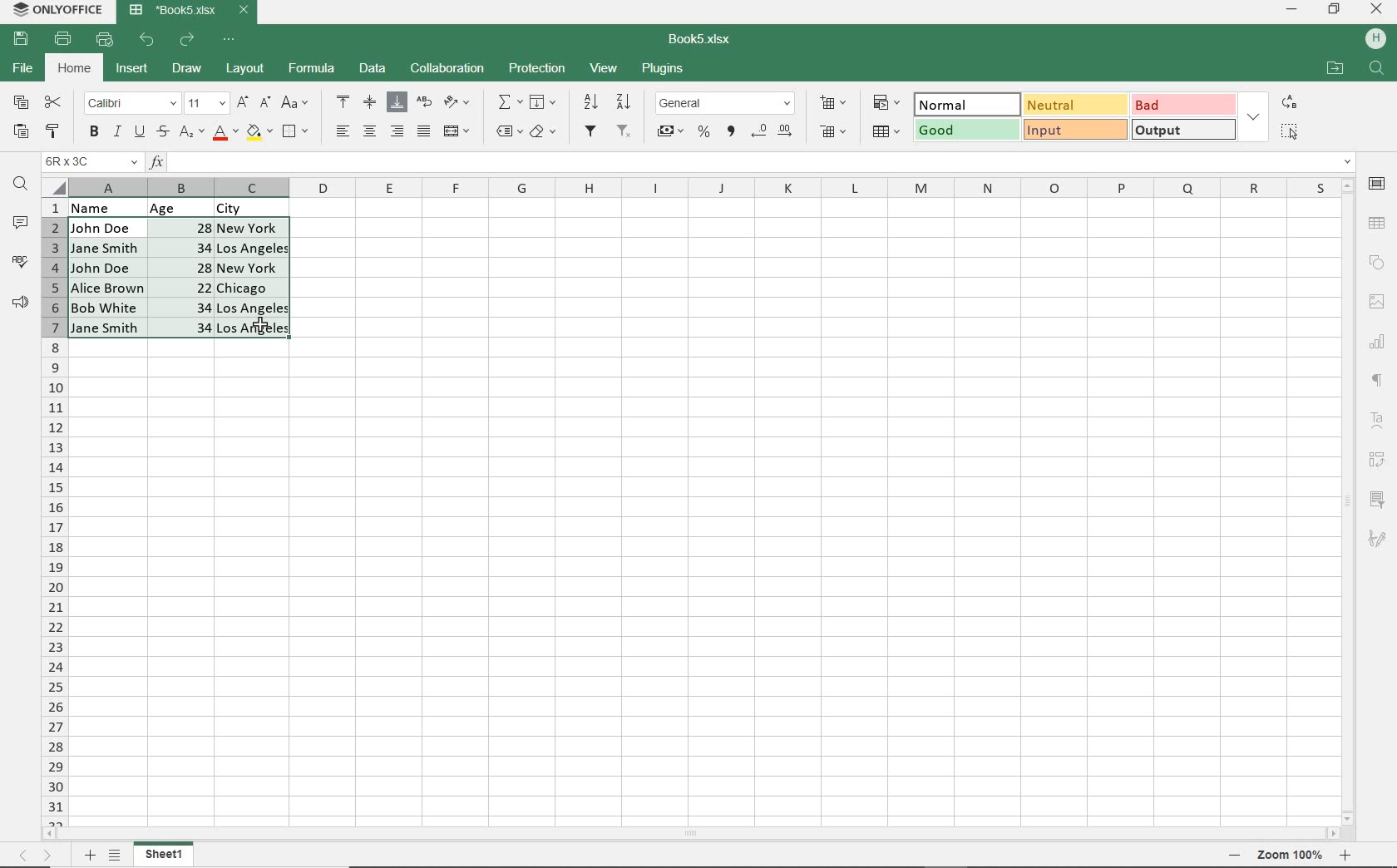  Describe the element at coordinates (1253, 116) in the screenshot. I see `EXPAND` at that location.